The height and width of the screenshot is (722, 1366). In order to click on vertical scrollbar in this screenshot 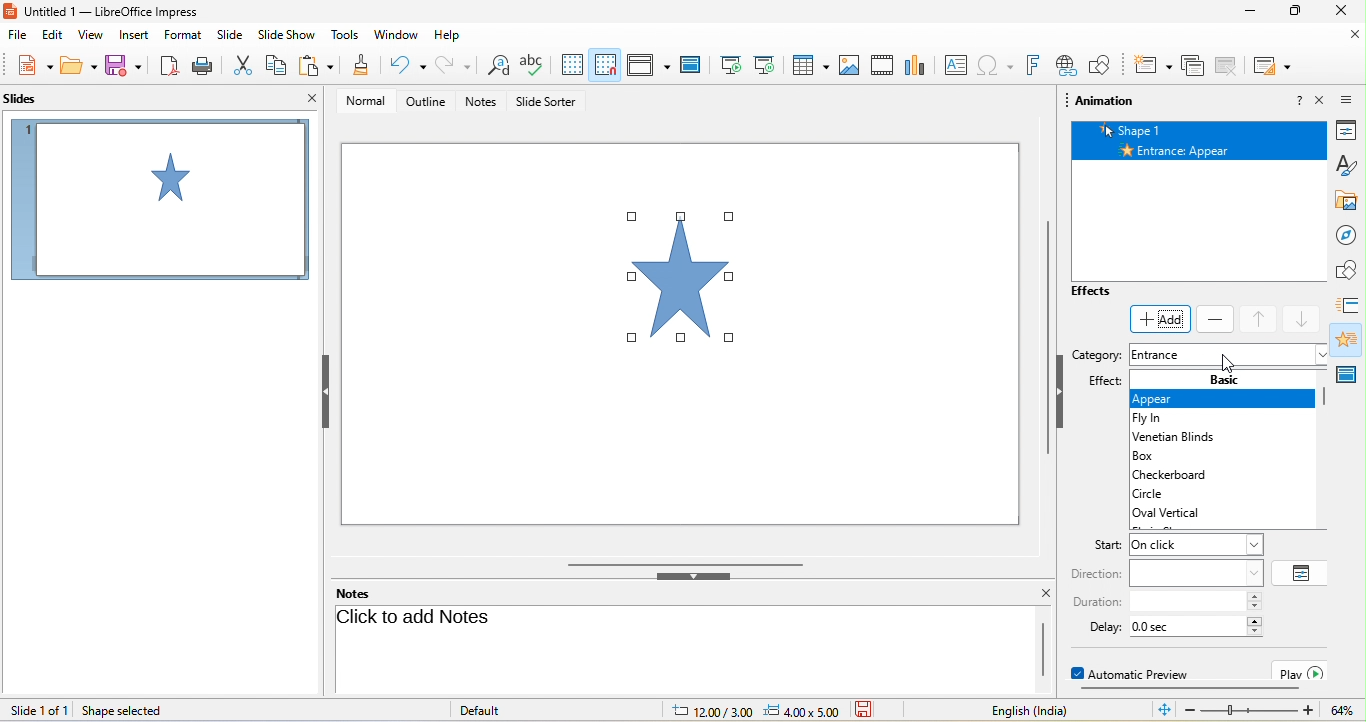, I will do `click(1042, 331)`.